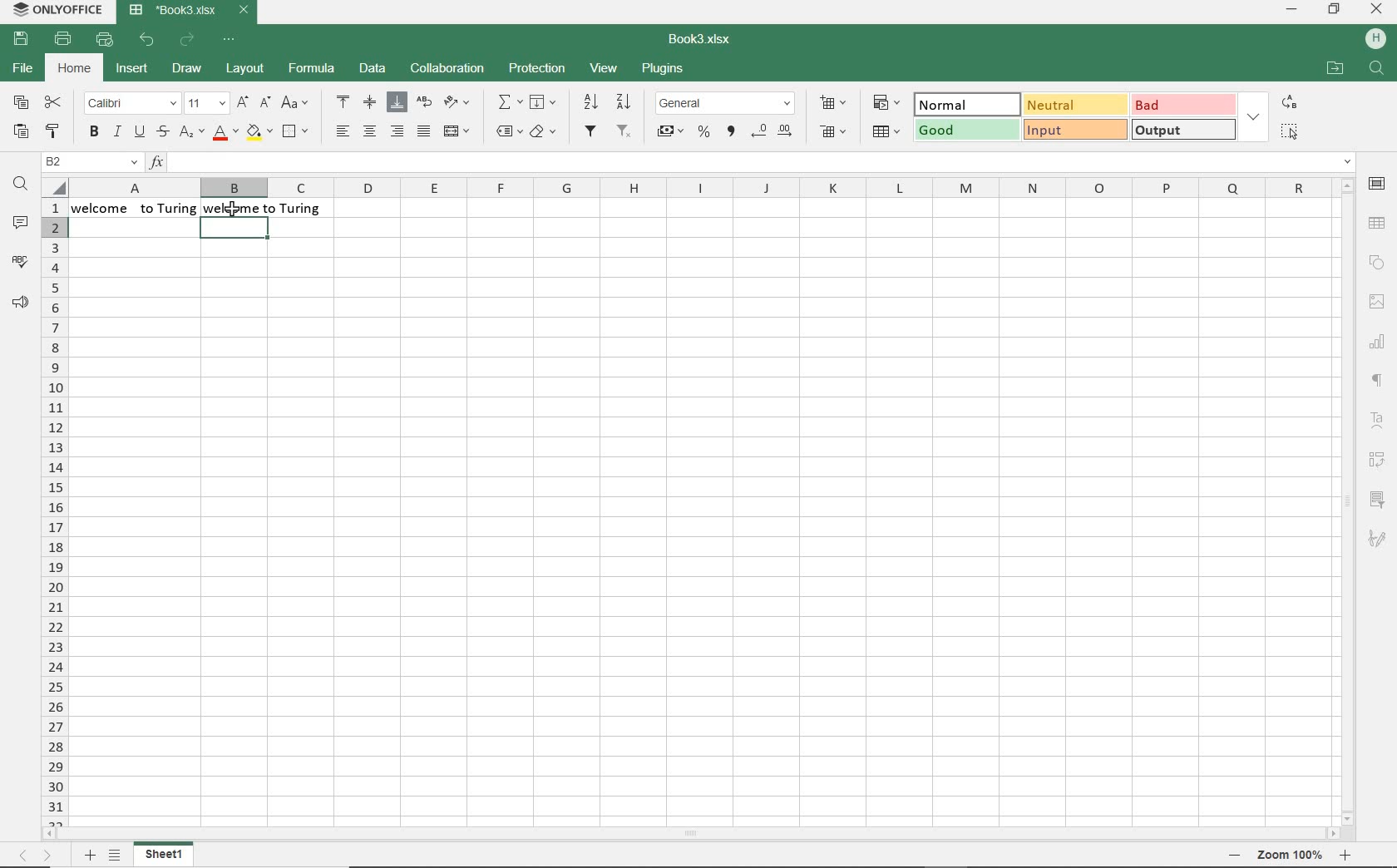 Image resolution: width=1397 pixels, height=868 pixels. I want to click on , so click(1380, 40).